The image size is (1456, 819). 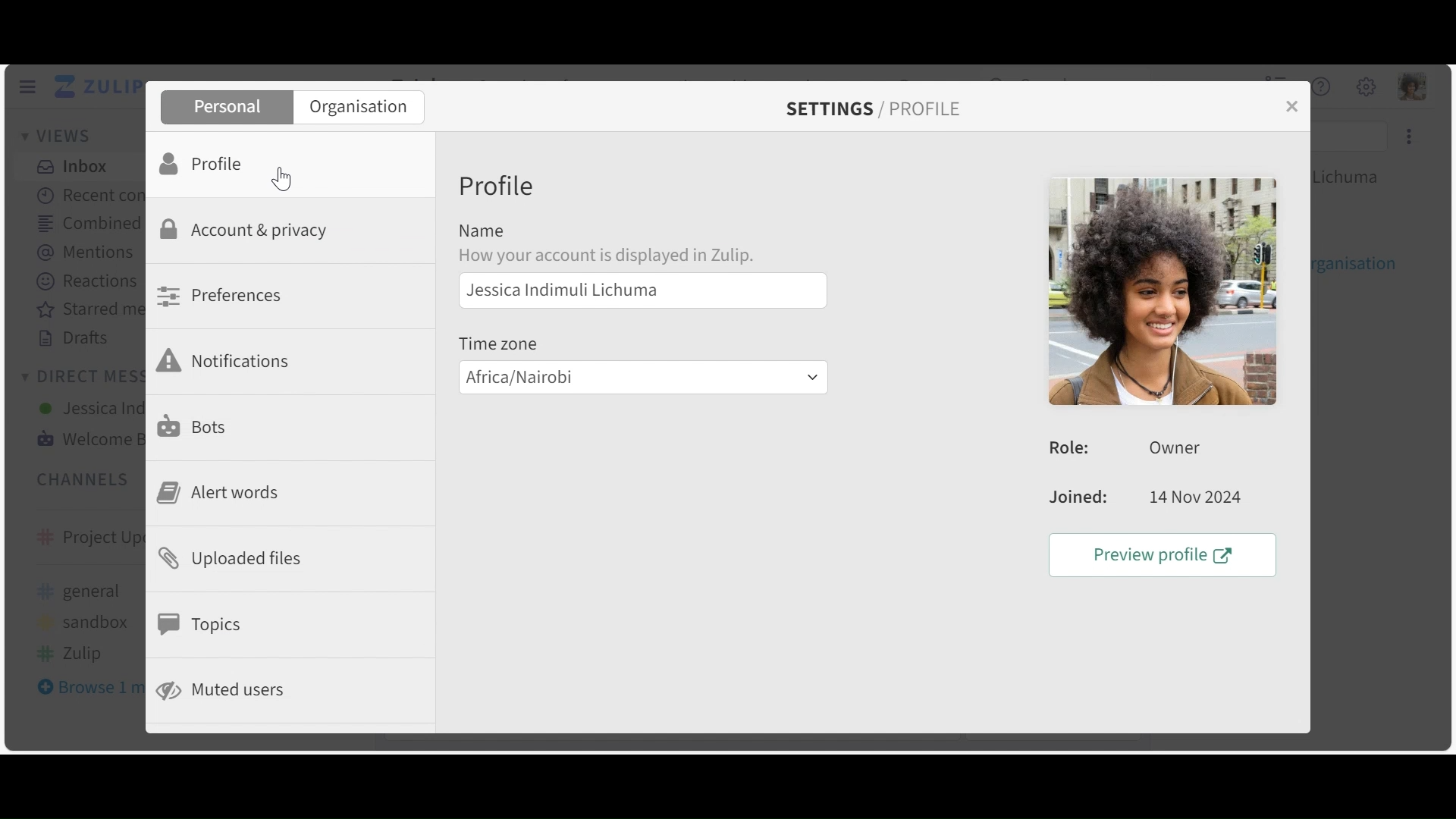 What do you see at coordinates (204, 622) in the screenshot?
I see `Topics` at bounding box center [204, 622].